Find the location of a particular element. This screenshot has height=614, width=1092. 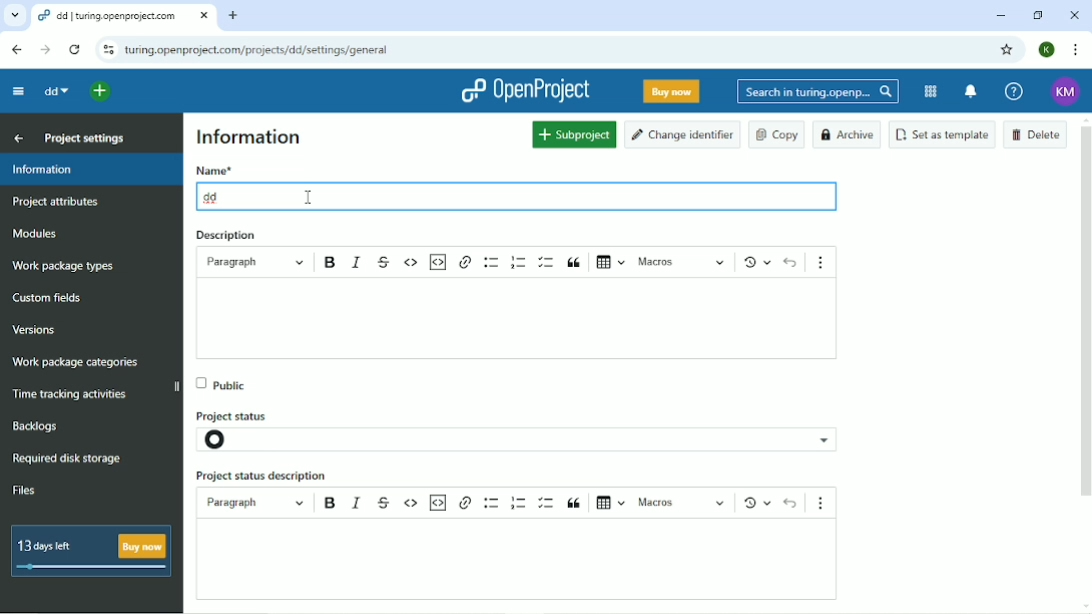

Show local modifications is located at coordinates (754, 501).